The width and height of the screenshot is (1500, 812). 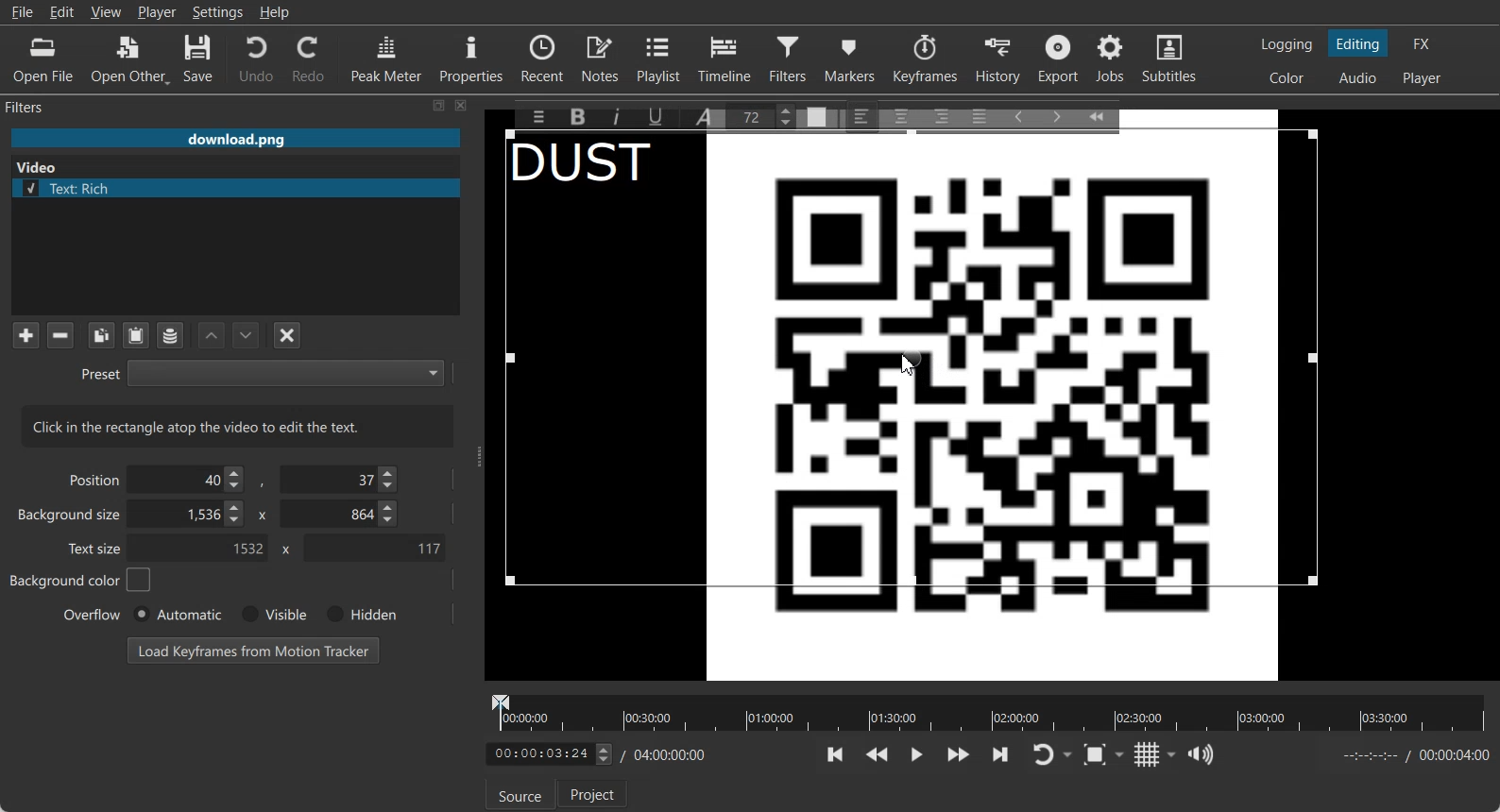 I want to click on Project, so click(x=596, y=795).